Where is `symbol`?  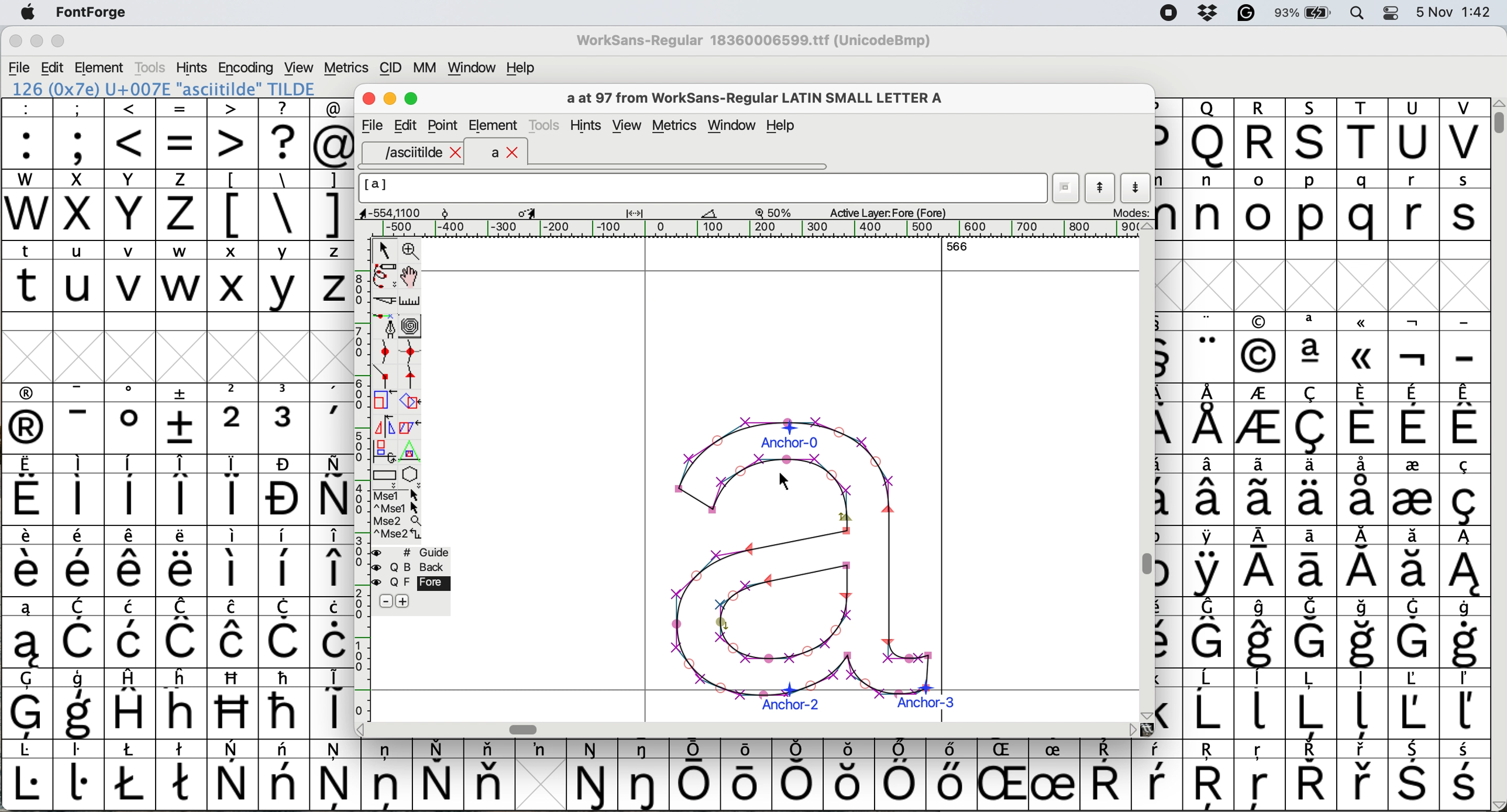 symbol is located at coordinates (1211, 490).